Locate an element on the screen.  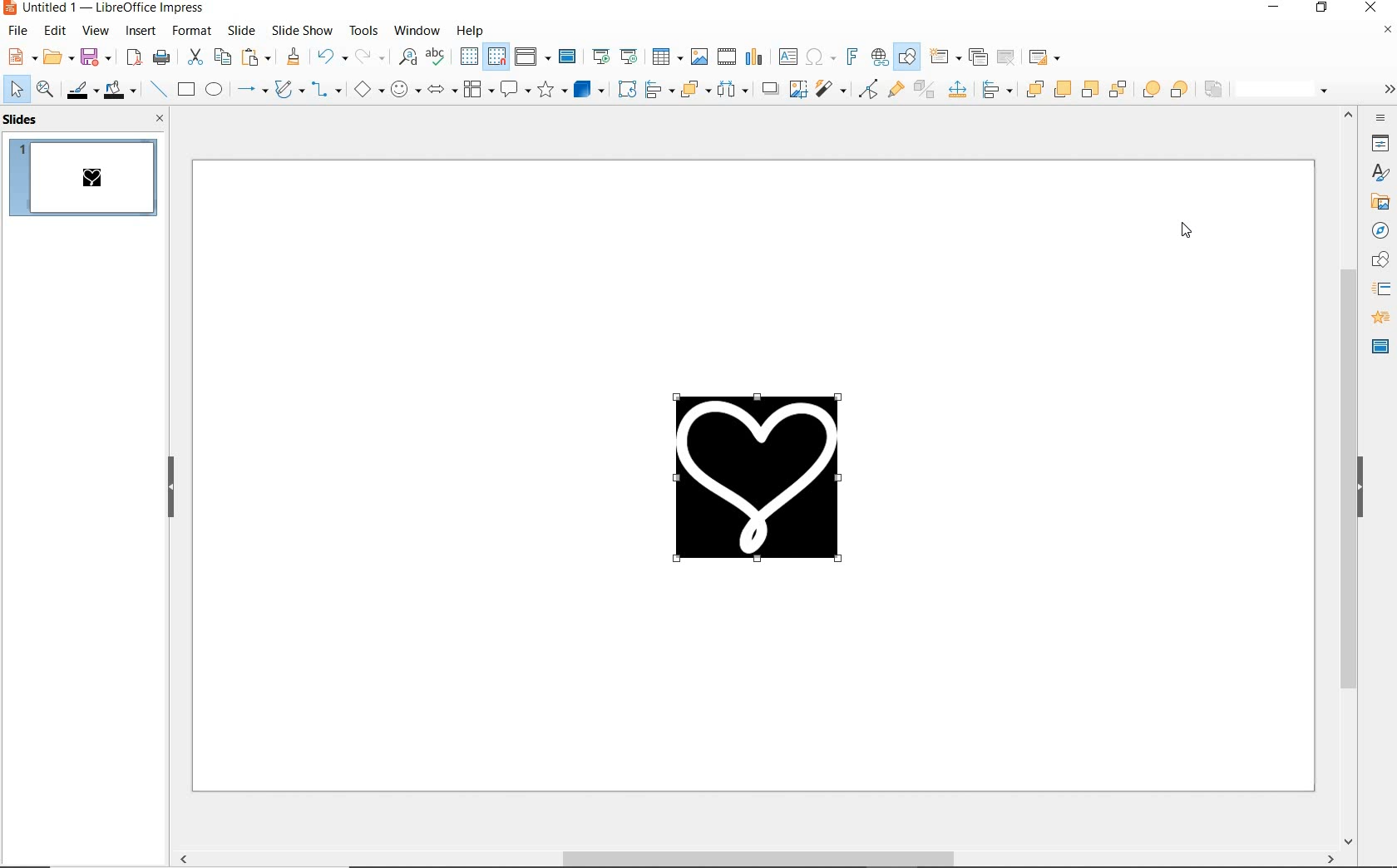
insert table is located at coordinates (667, 57).